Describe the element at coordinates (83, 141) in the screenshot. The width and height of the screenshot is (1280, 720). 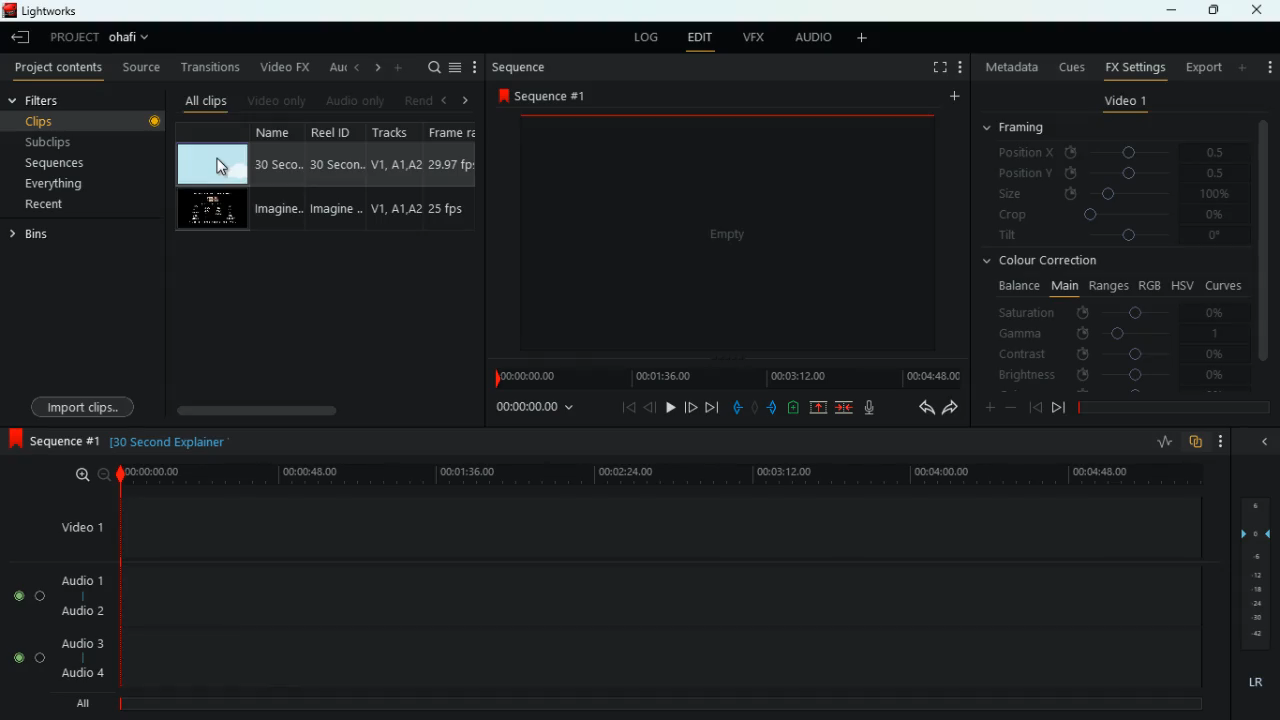
I see `subclips` at that location.